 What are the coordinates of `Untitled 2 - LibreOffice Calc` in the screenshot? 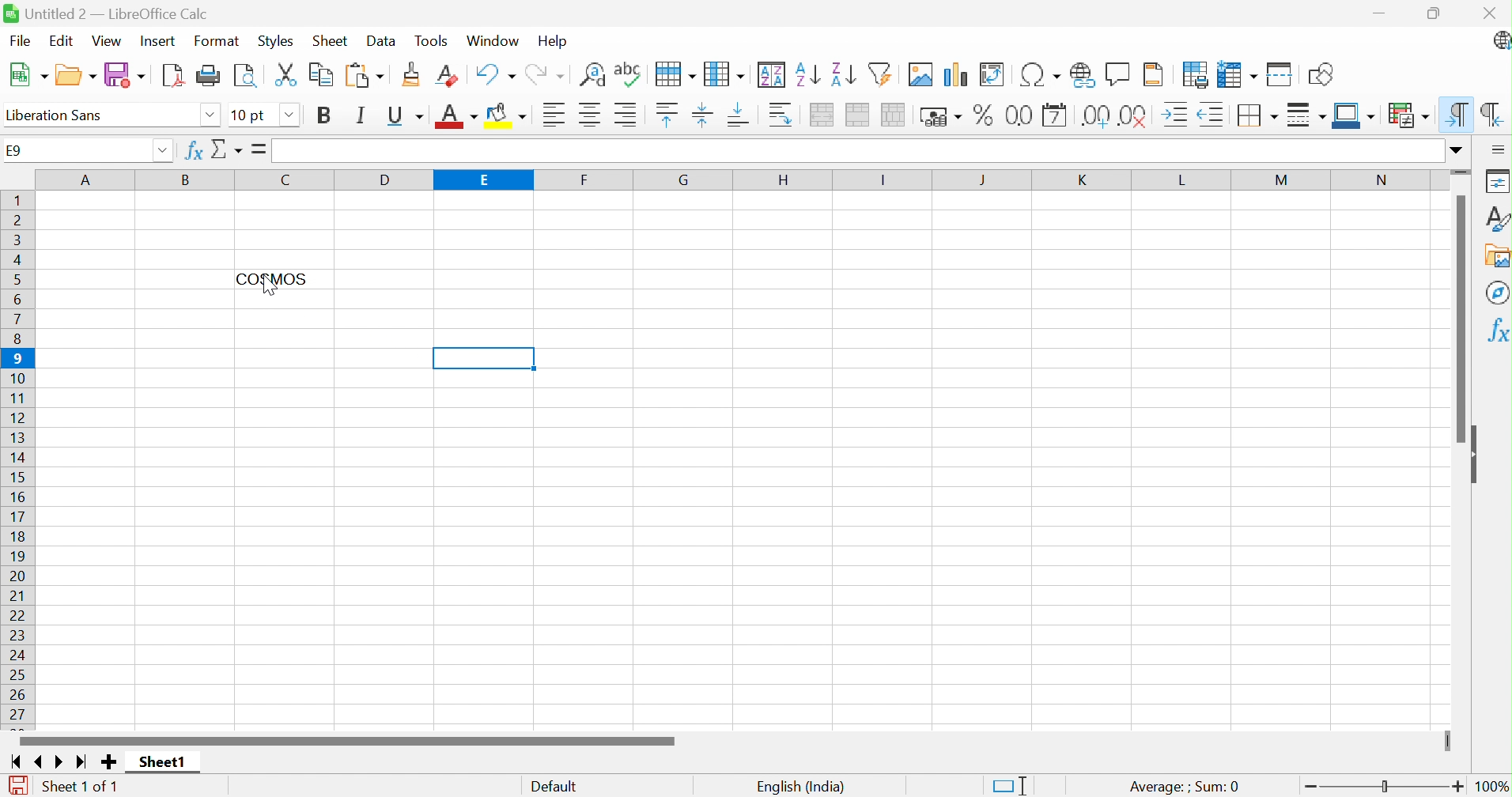 It's located at (107, 11).